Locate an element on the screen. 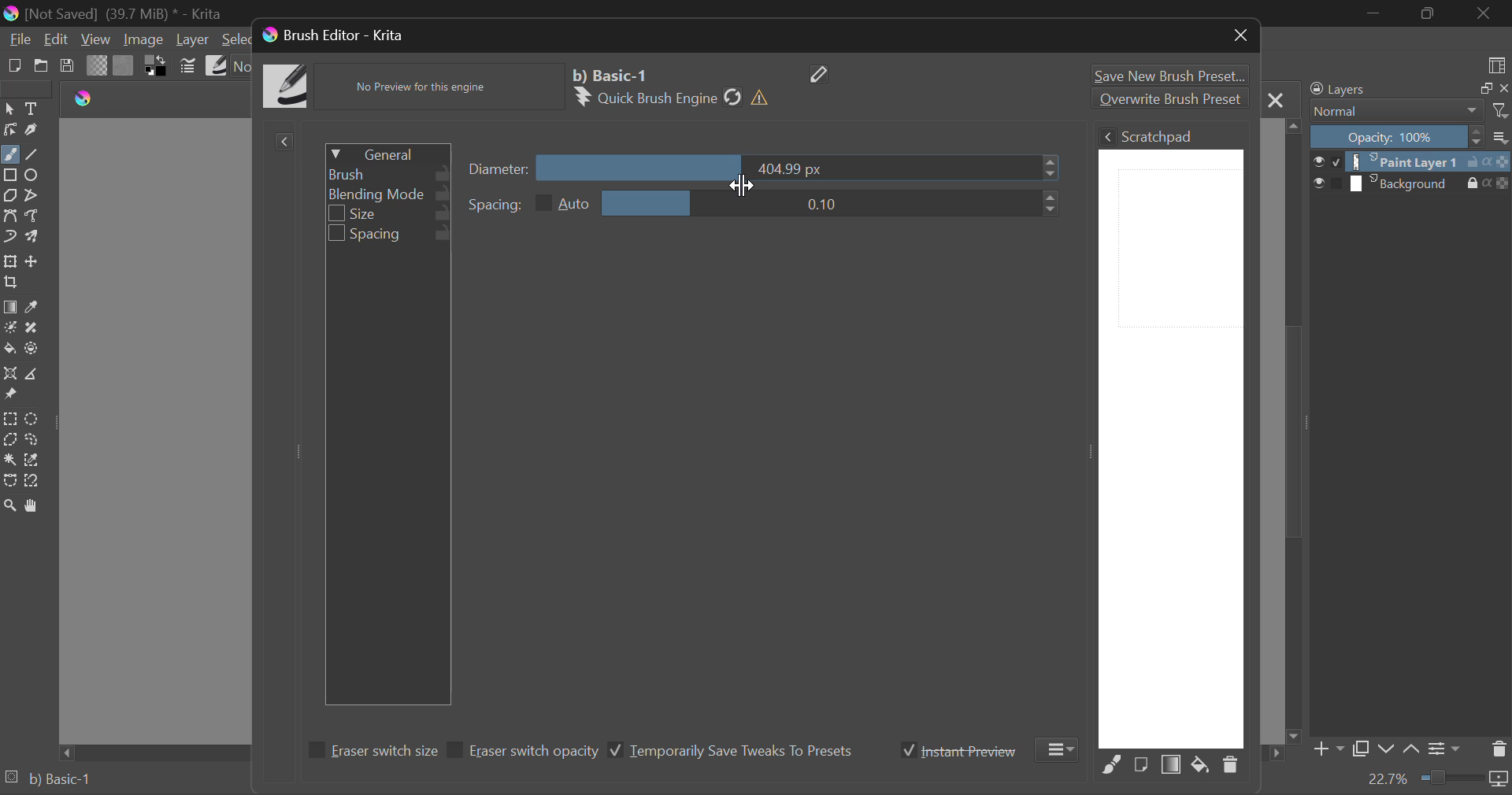  Save is located at coordinates (68, 66).